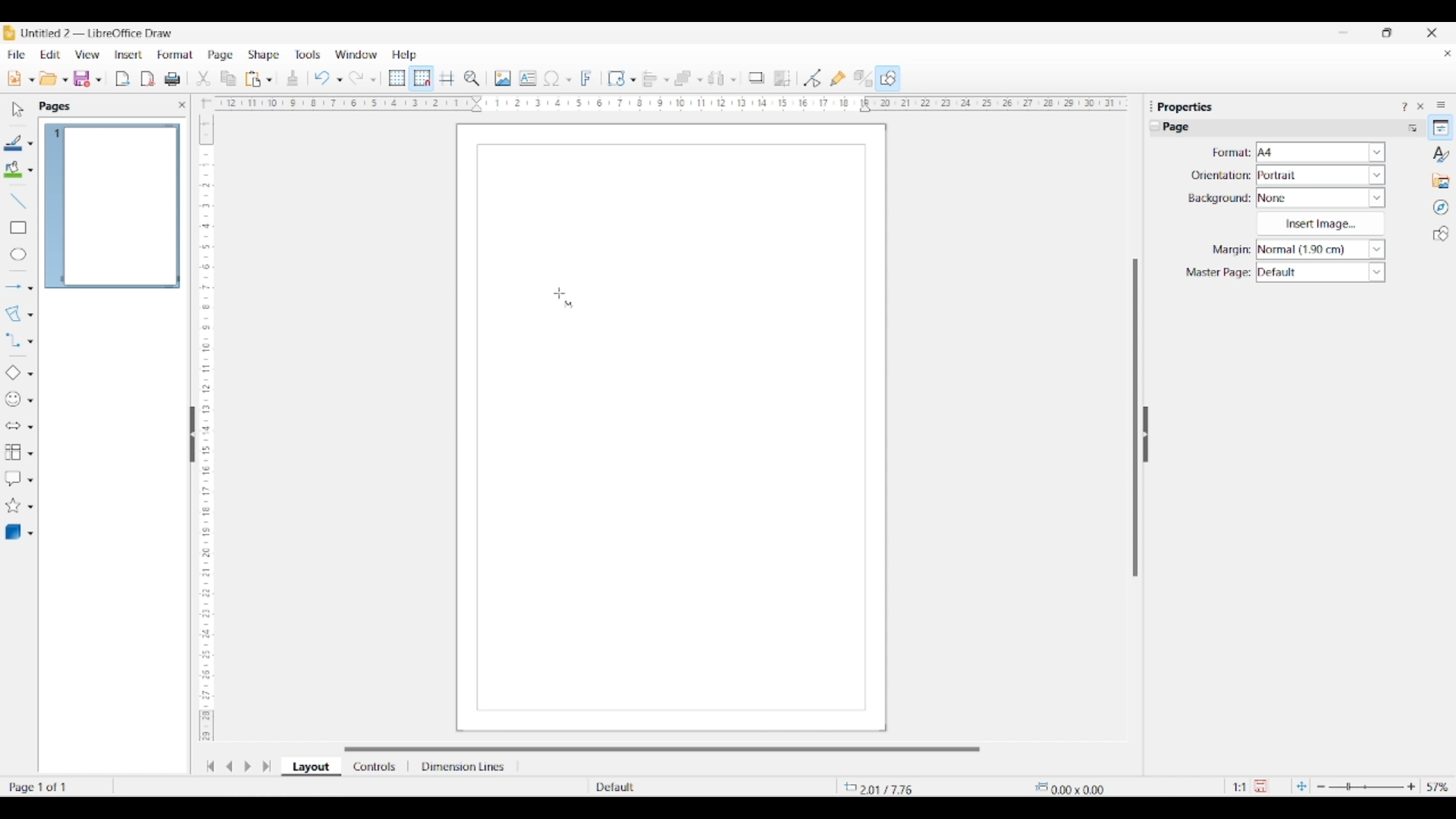  I want to click on Page, so click(221, 56).